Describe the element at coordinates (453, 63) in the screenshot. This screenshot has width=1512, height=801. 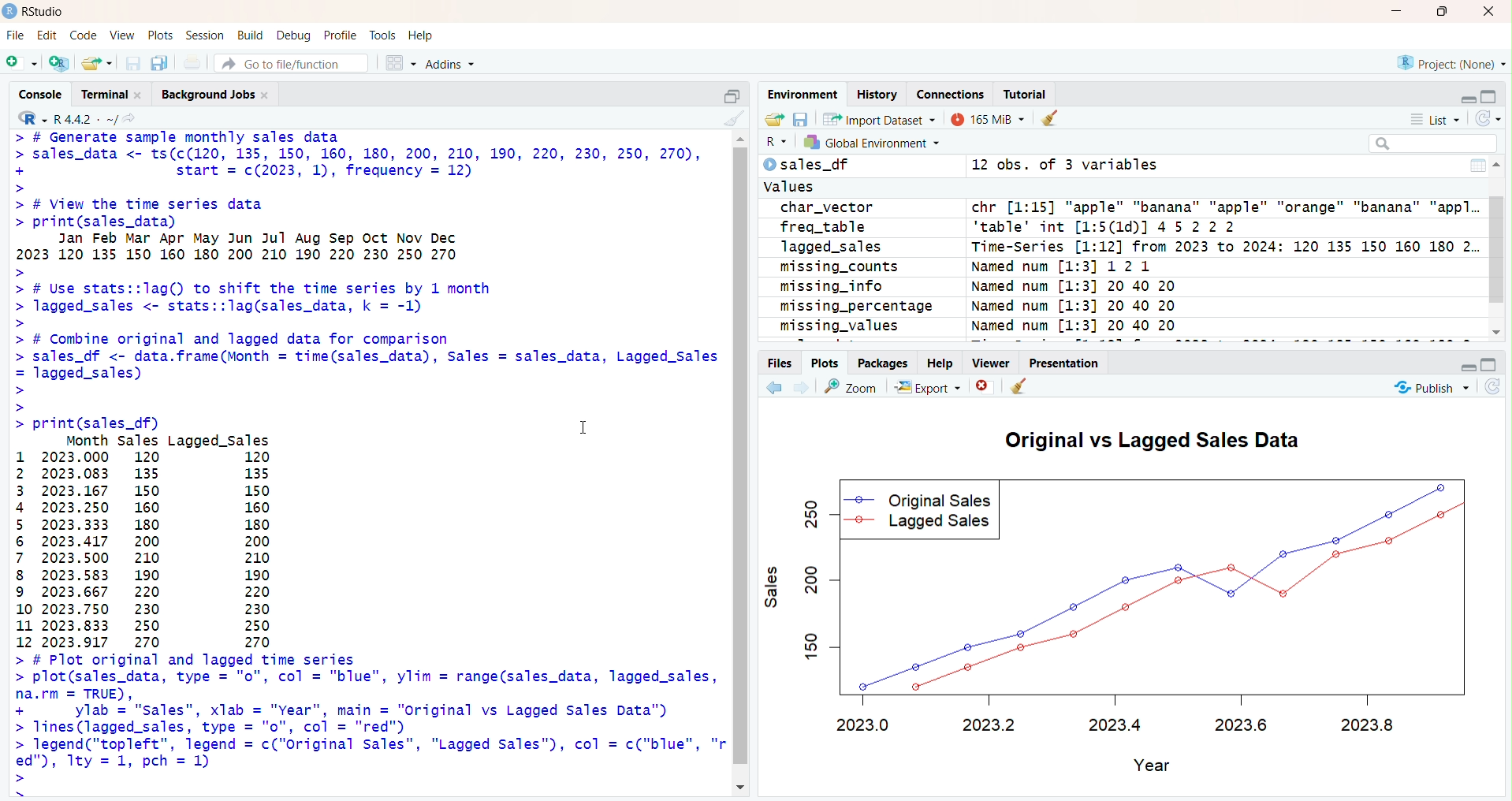
I see `addins` at that location.